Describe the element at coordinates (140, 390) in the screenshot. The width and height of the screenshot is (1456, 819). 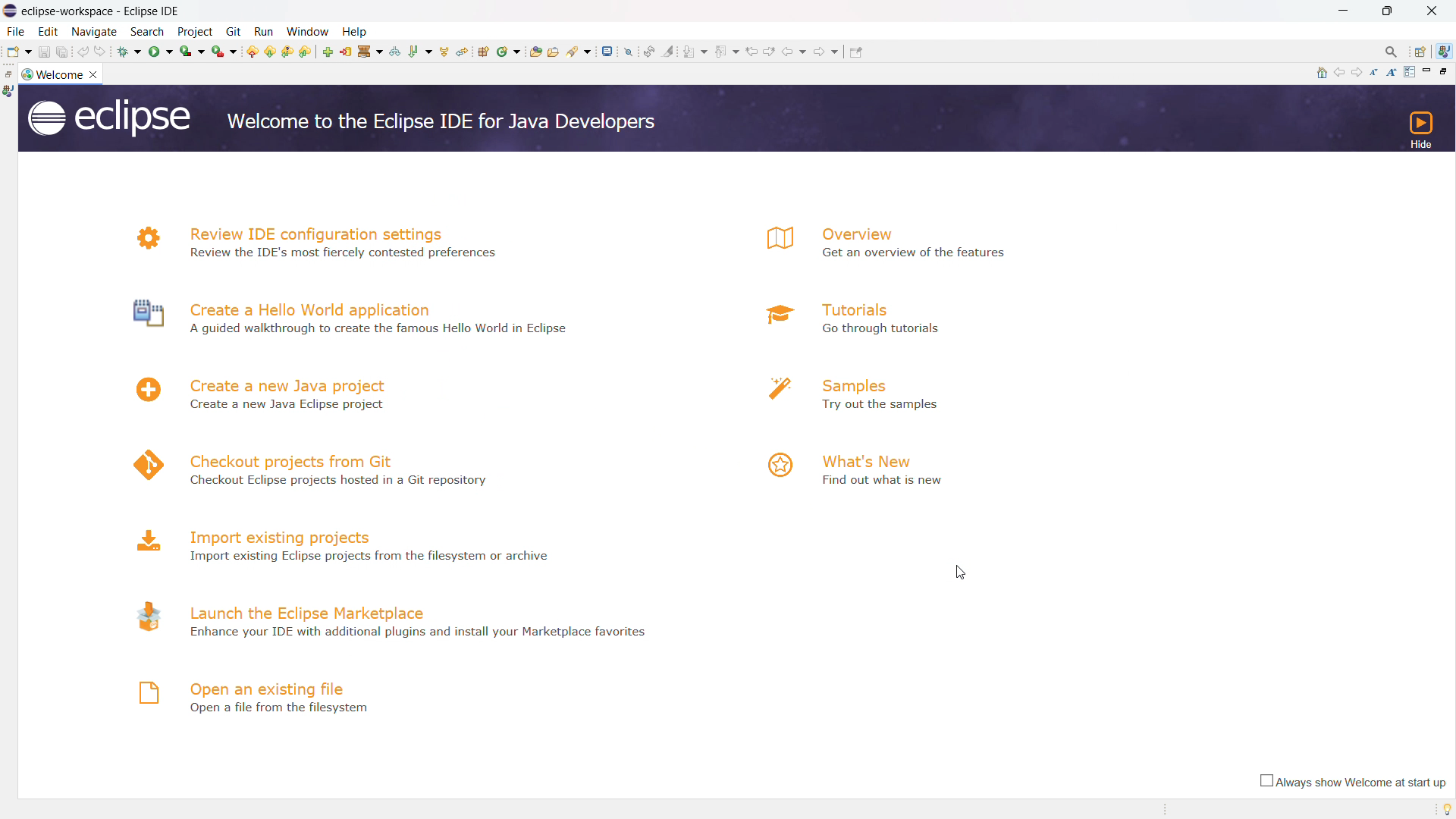
I see `logo` at that location.